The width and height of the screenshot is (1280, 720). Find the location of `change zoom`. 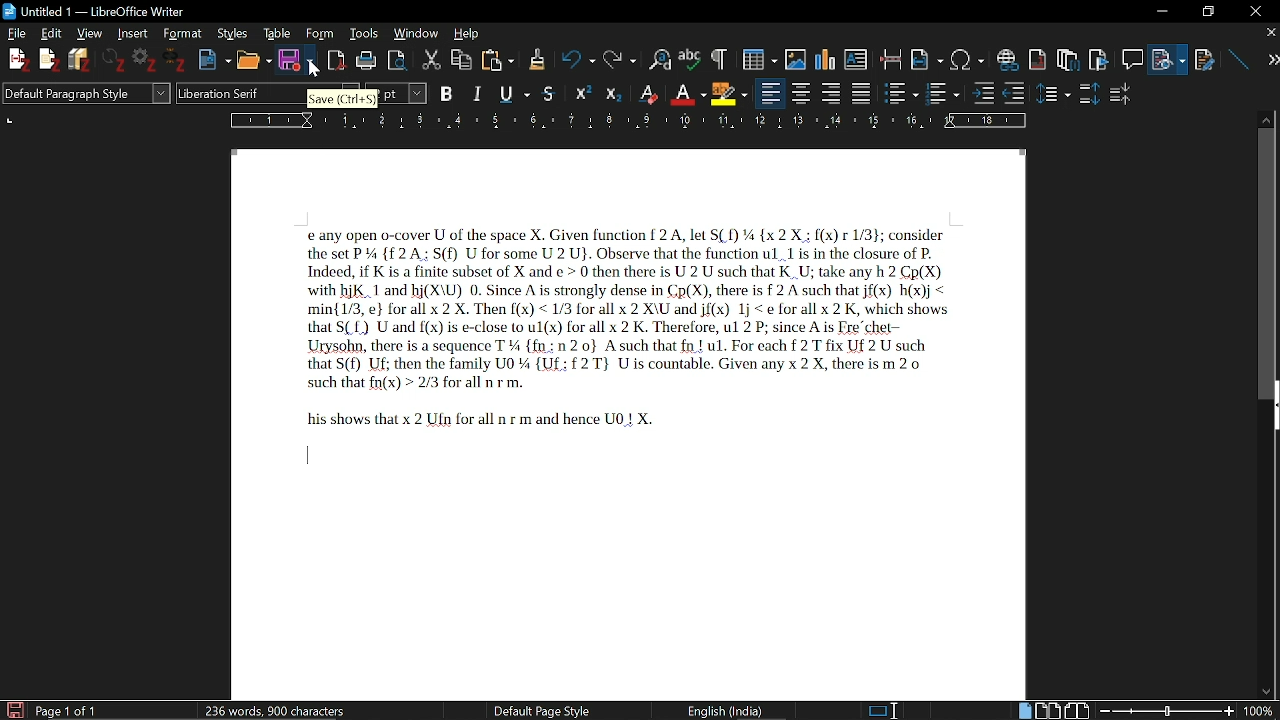

change zoom is located at coordinates (1185, 710).